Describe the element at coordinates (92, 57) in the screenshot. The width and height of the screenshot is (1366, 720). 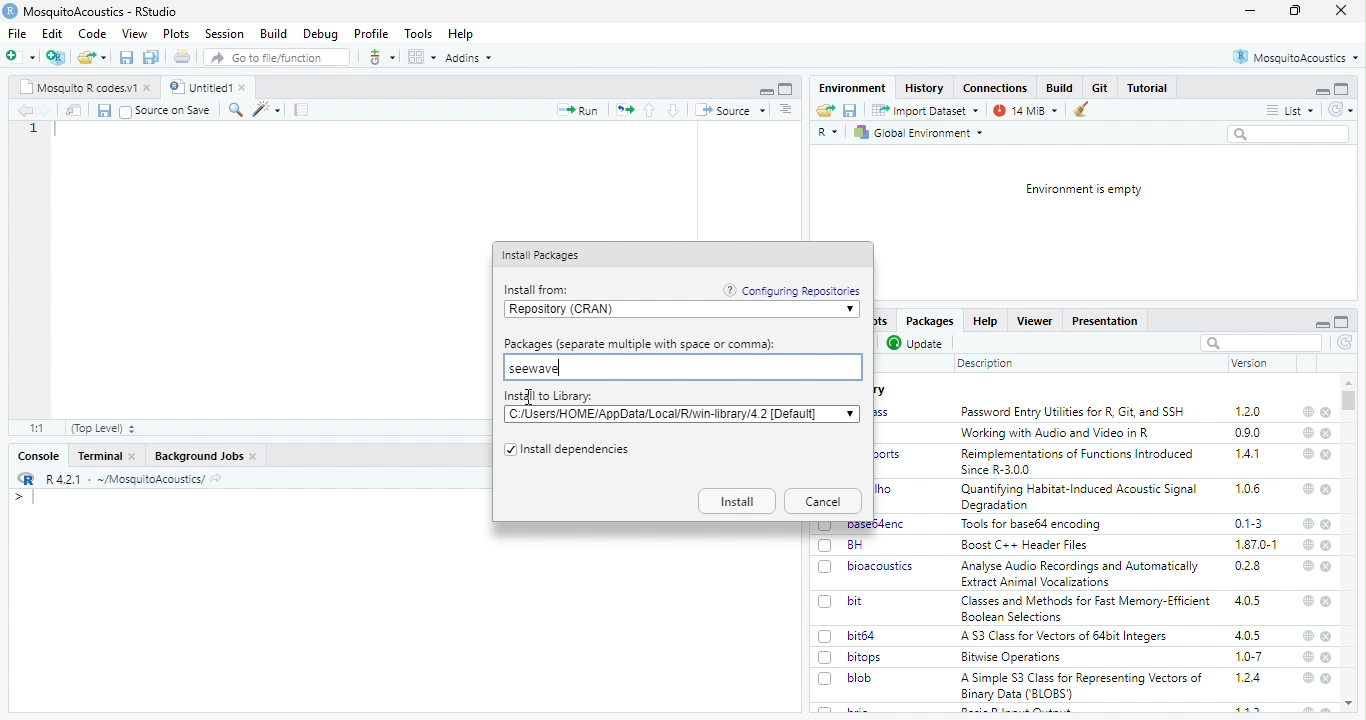
I see `open folder` at that location.